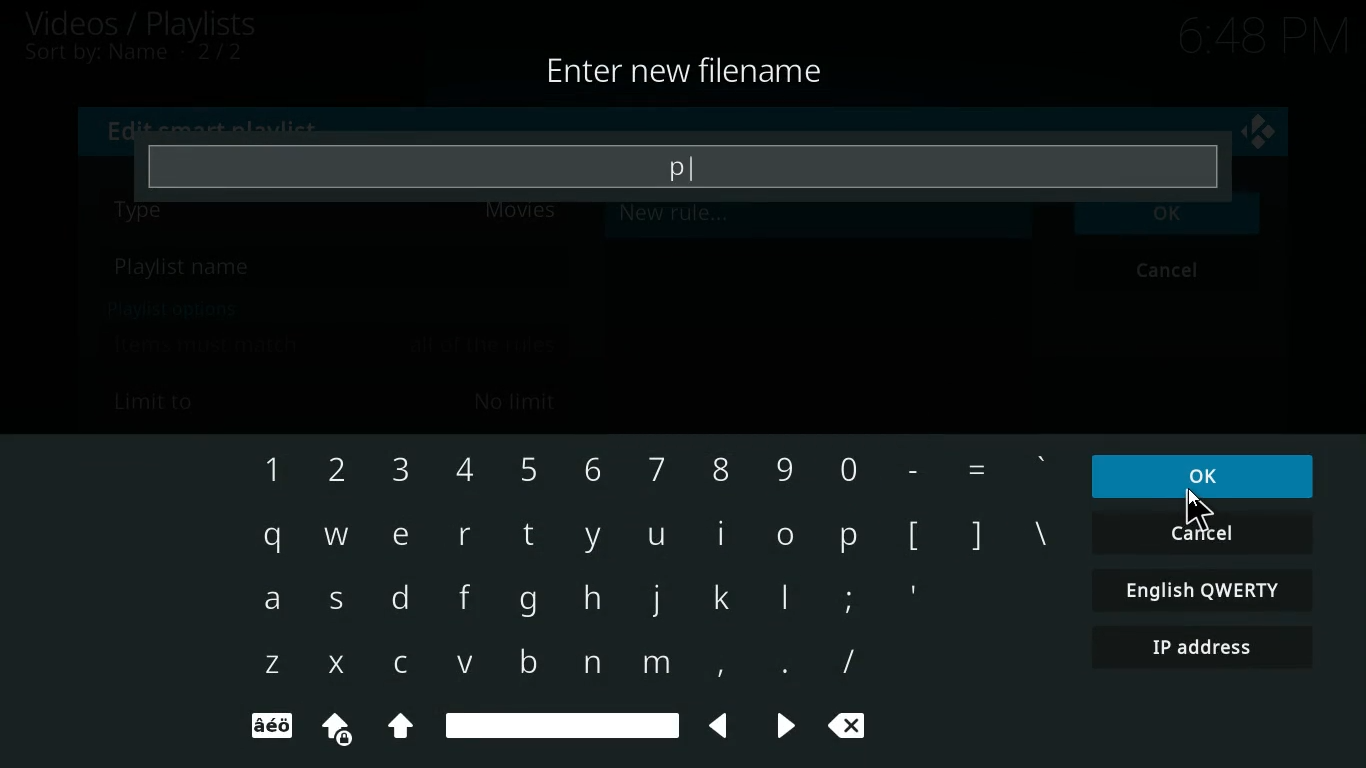 The height and width of the screenshot is (768, 1366). What do you see at coordinates (784, 465) in the screenshot?
I see `9` at bounding box center [784, 465].